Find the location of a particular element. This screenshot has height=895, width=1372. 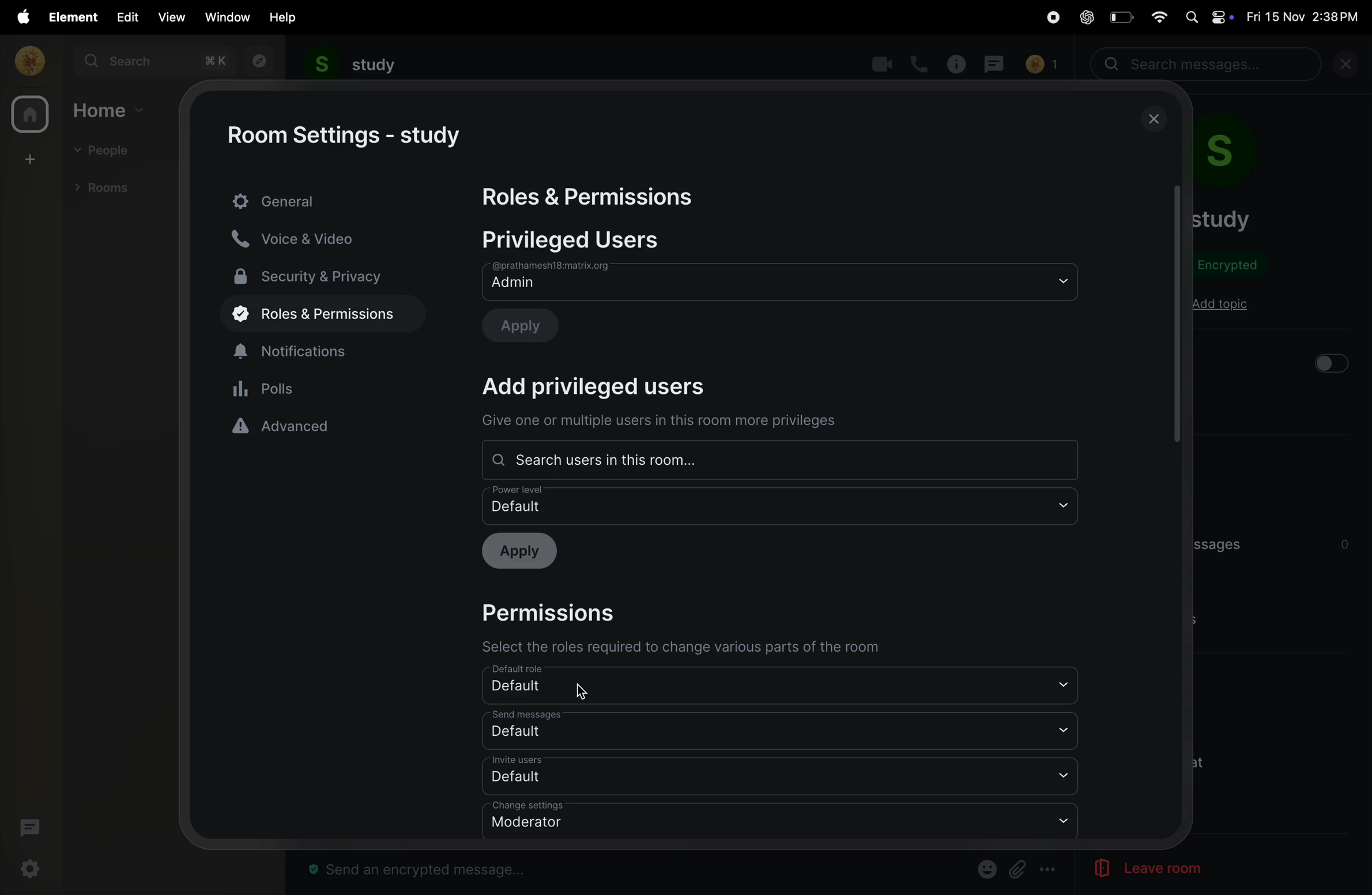

emoji is located at coordinates (985, 868).